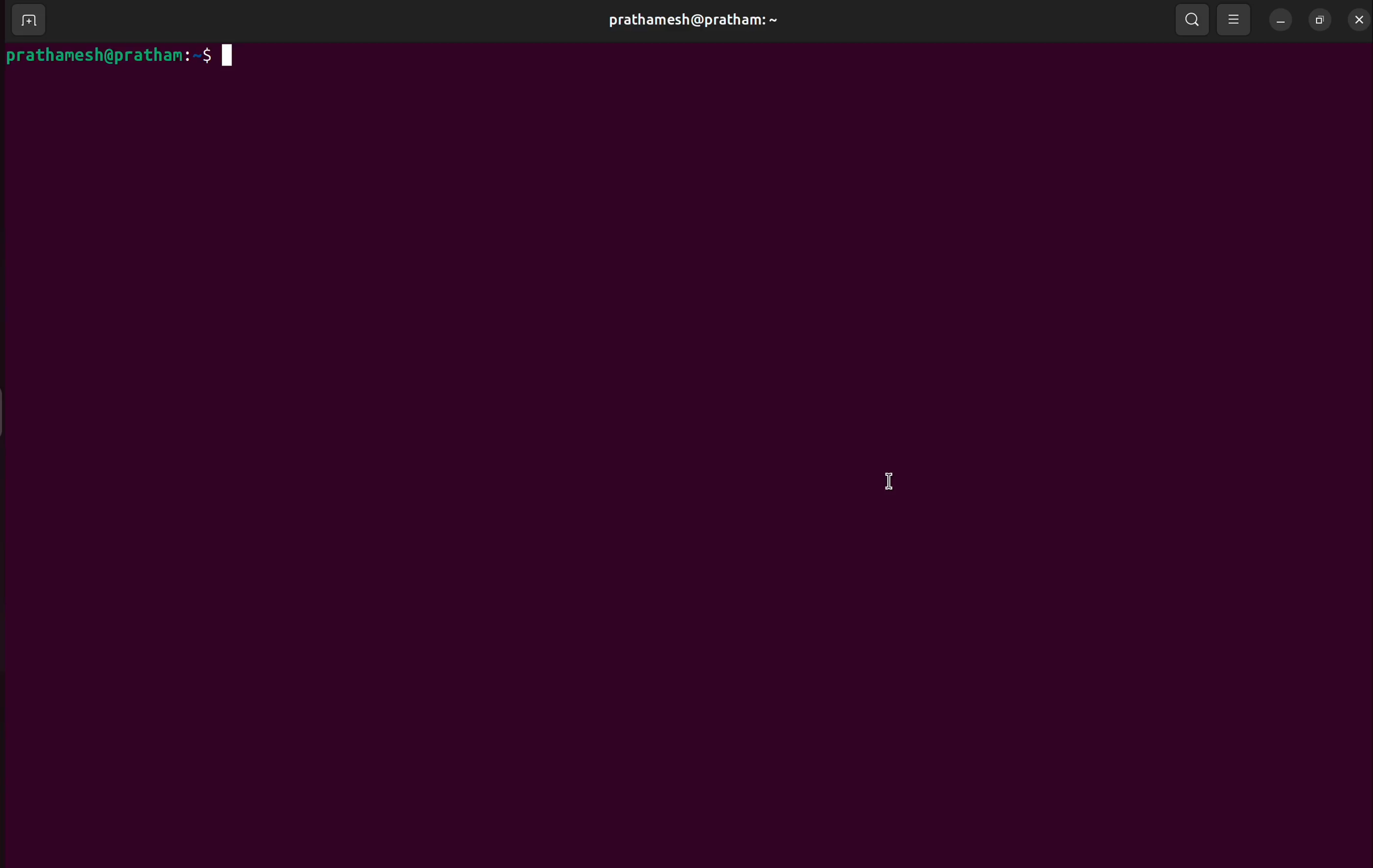 This screenshot has width=1373, height=868. What do you see at coordinates (1358, 17) in the screenshot?
I see `close` at bounding box center [1358, 17].